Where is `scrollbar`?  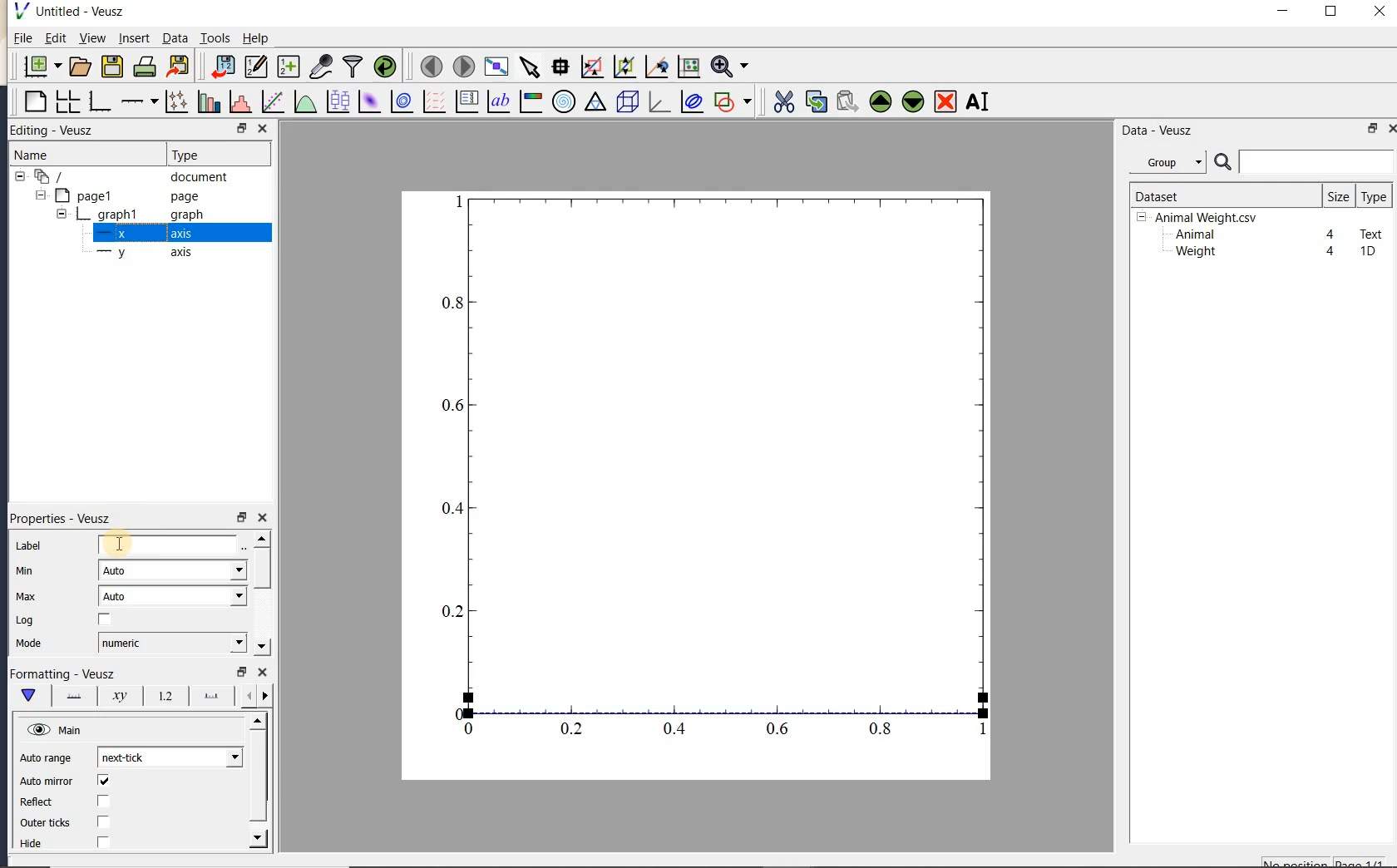
scrollbar is located at coordinates (260, 593).